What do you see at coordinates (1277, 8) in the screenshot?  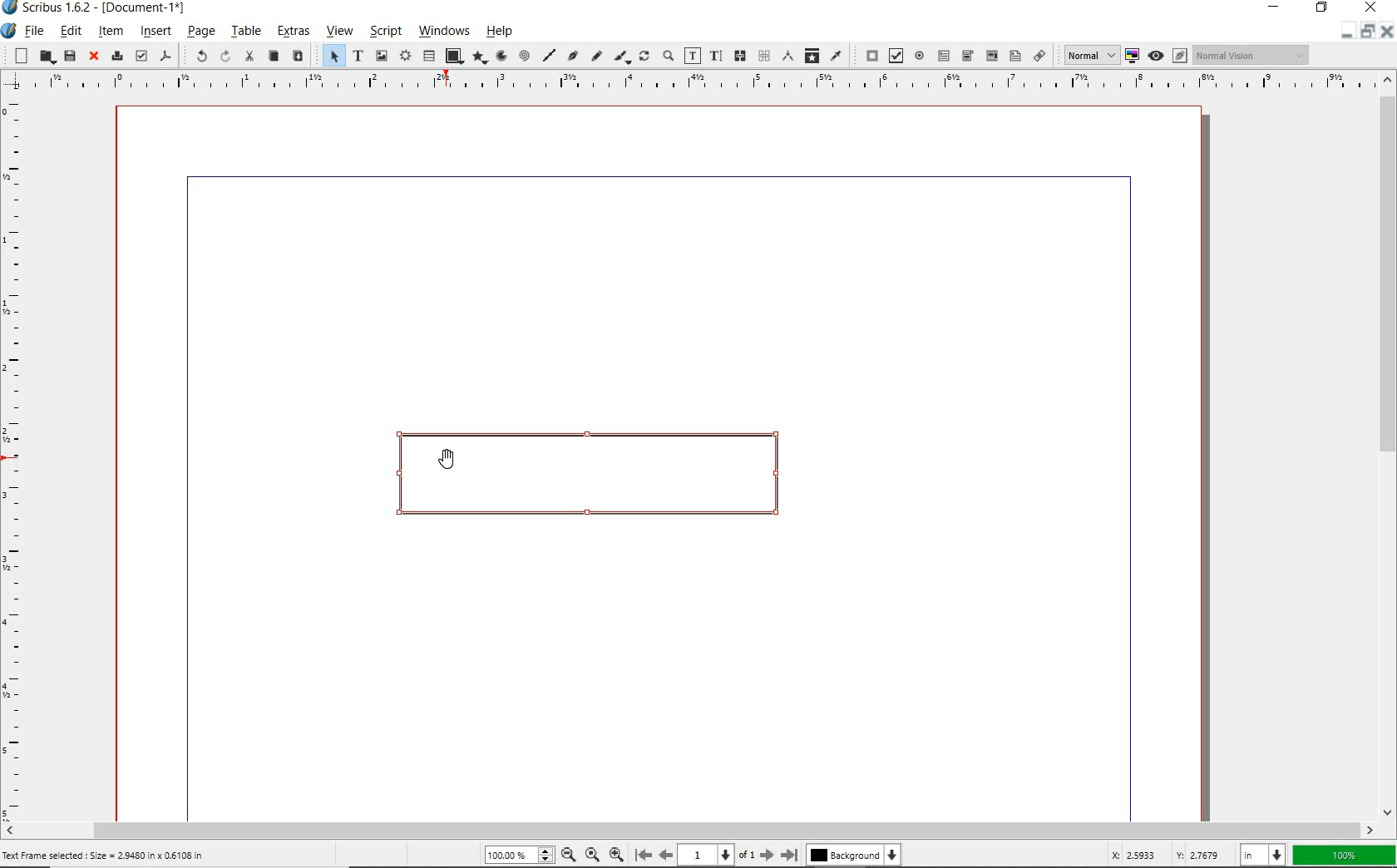 I see `minimize` at bounding box center [1277, 8].